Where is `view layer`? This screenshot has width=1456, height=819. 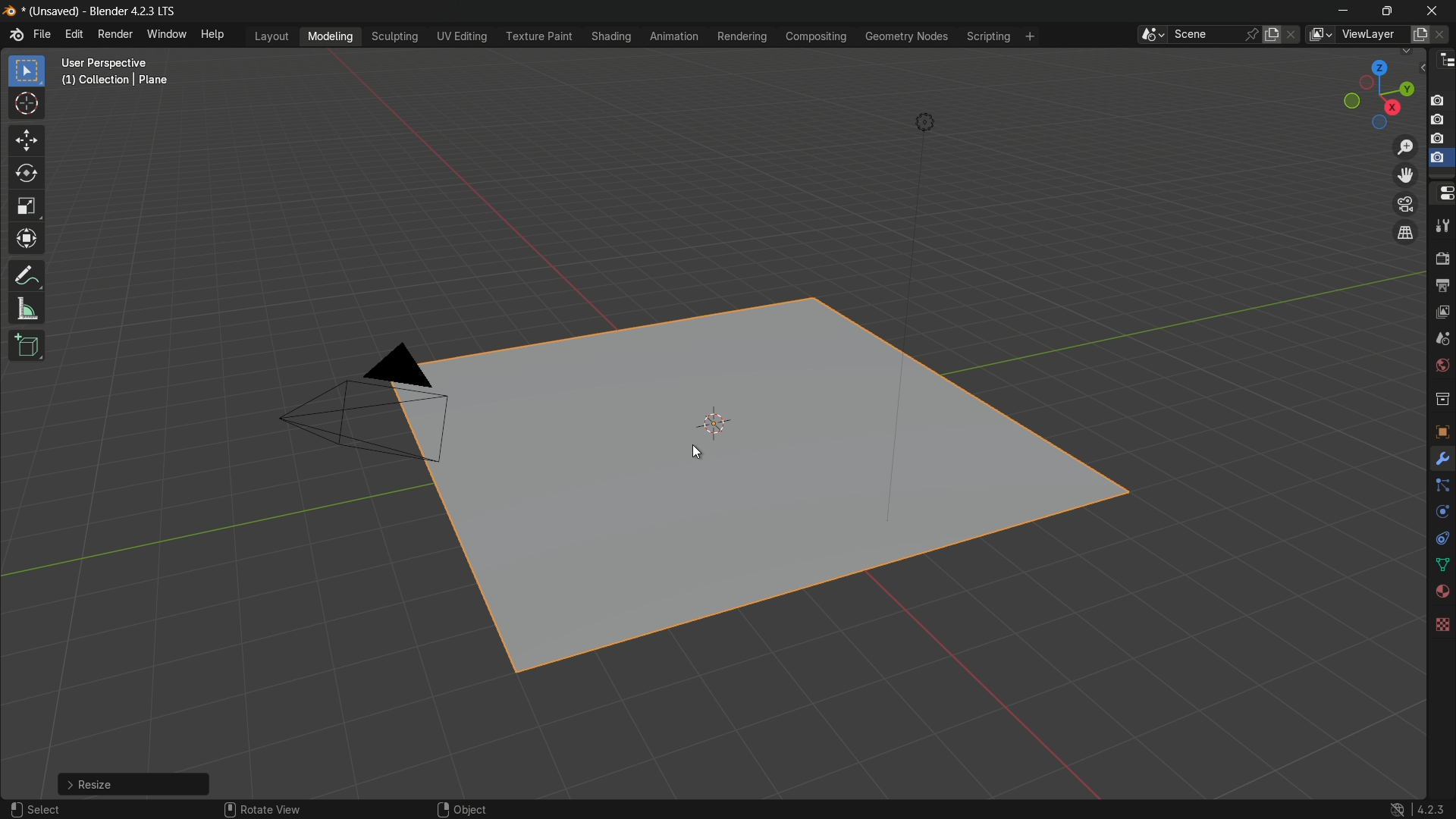
view layer is located at coordinates (1441, 311).